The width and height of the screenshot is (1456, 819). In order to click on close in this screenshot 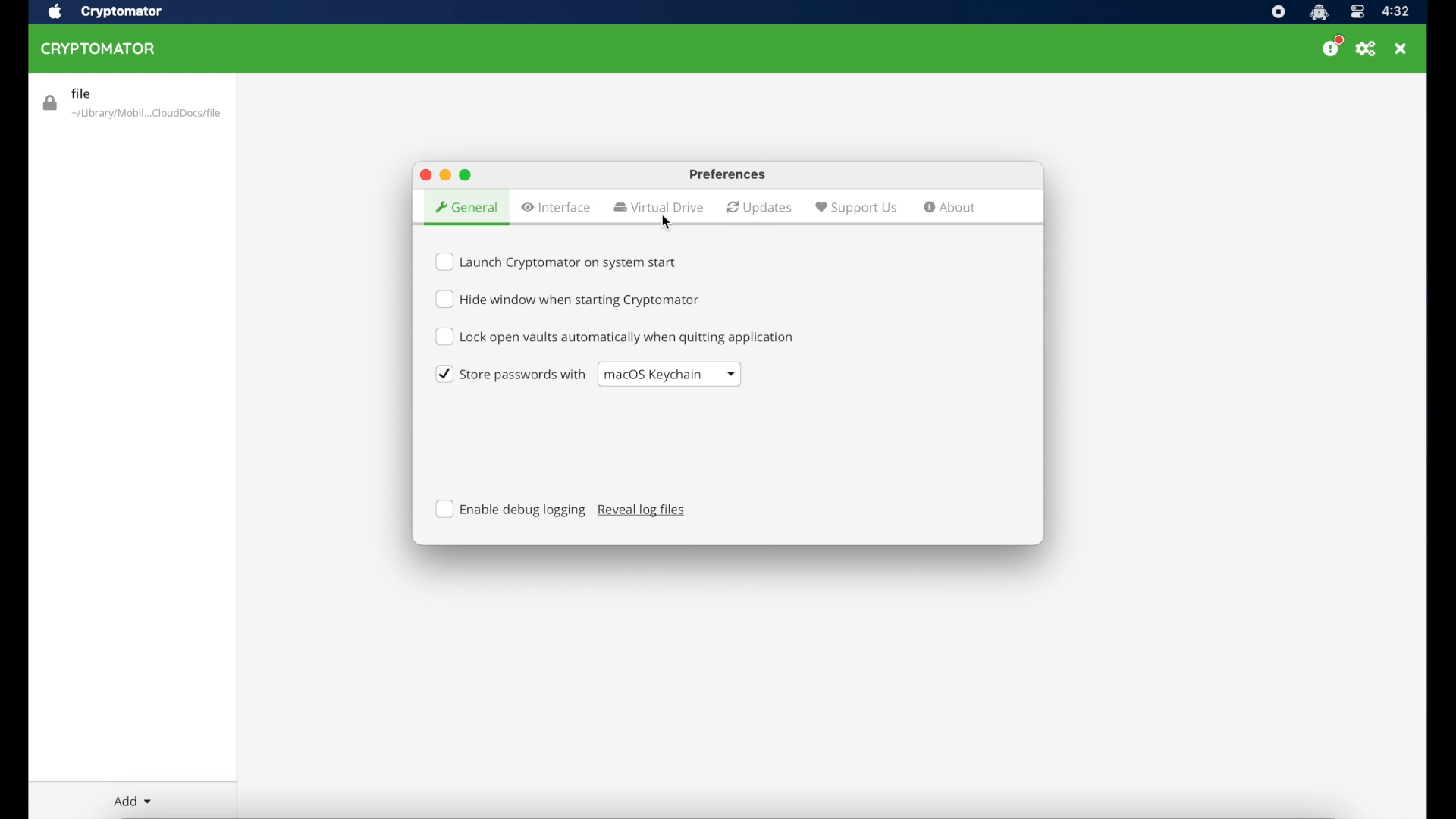, I will do `click(1401, 49)`.